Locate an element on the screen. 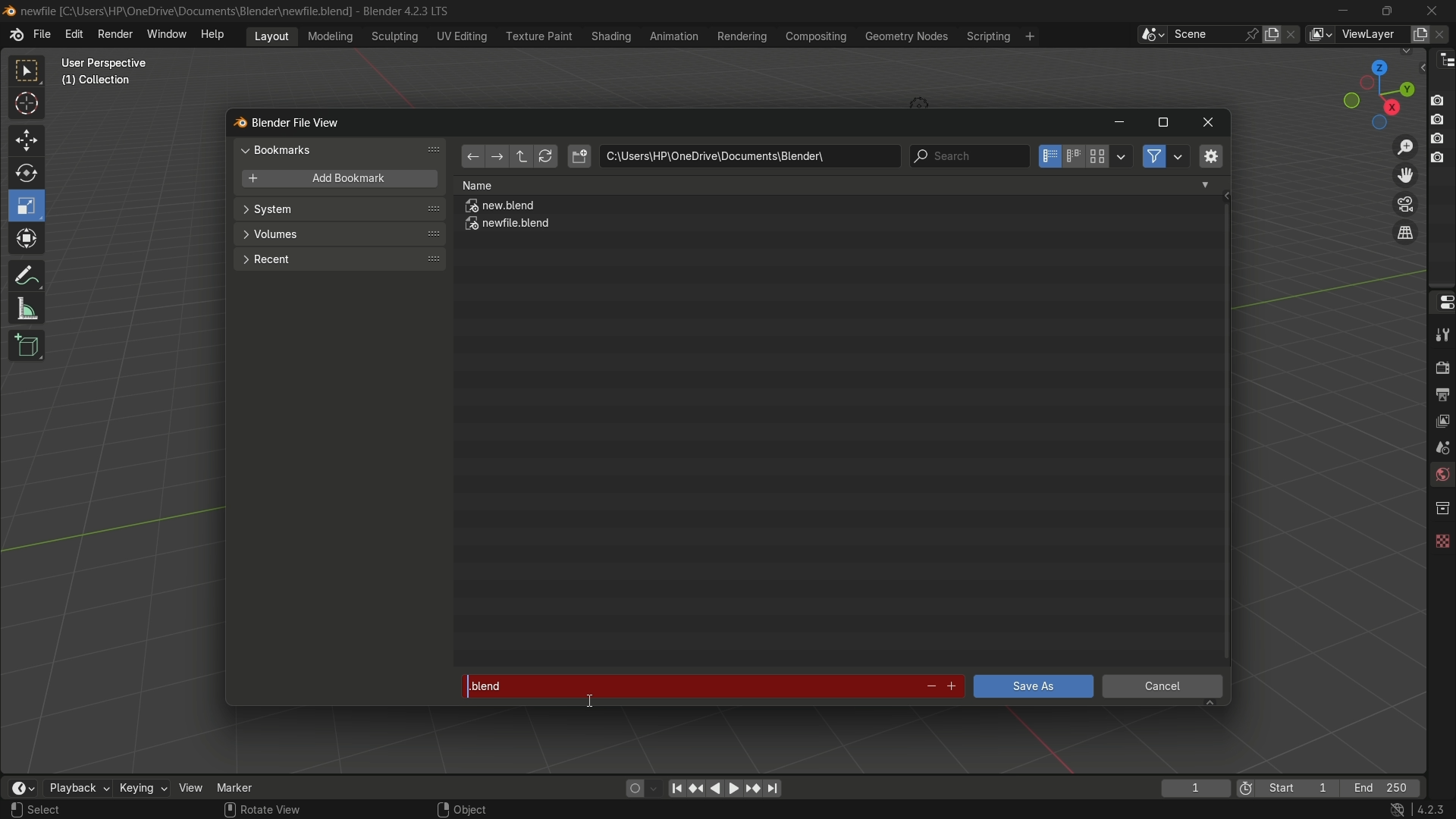 The width and height of the screenshot is (1456, 819). forward is located at coordinates (495, 158).